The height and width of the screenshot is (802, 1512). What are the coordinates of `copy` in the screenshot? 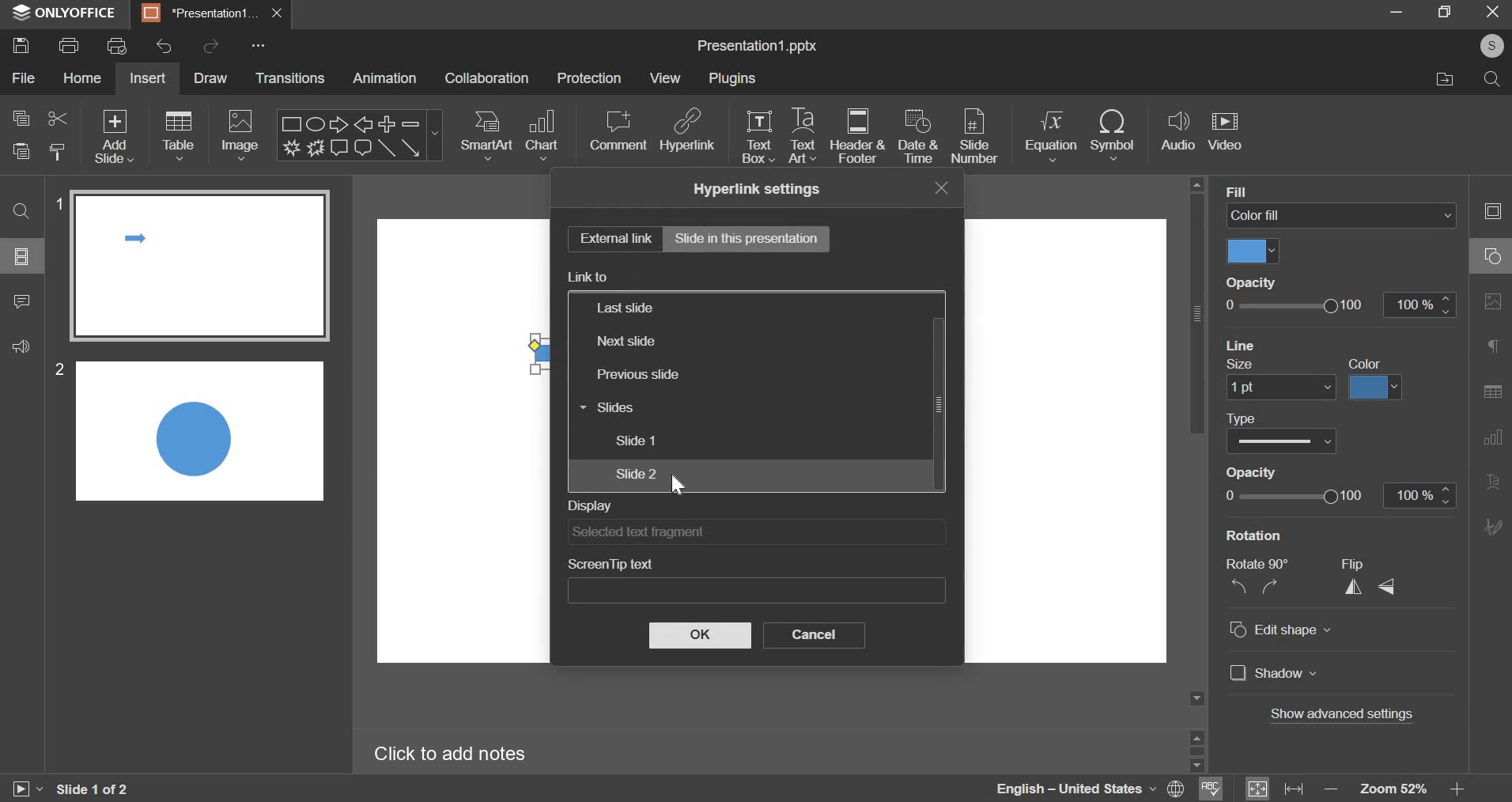 It's located at (21, 118).